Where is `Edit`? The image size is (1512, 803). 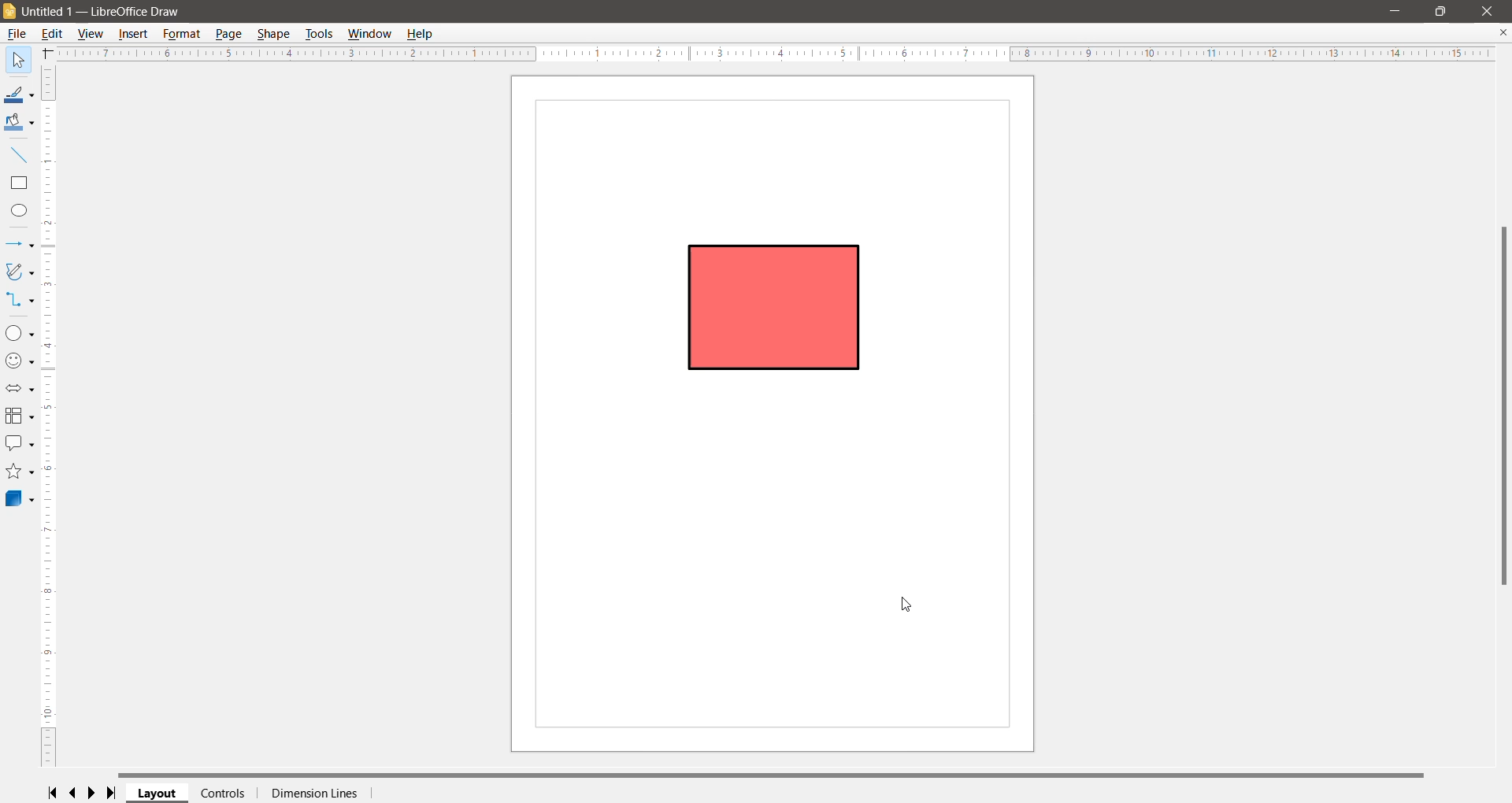 Edit is located at coordinates (53, 35).